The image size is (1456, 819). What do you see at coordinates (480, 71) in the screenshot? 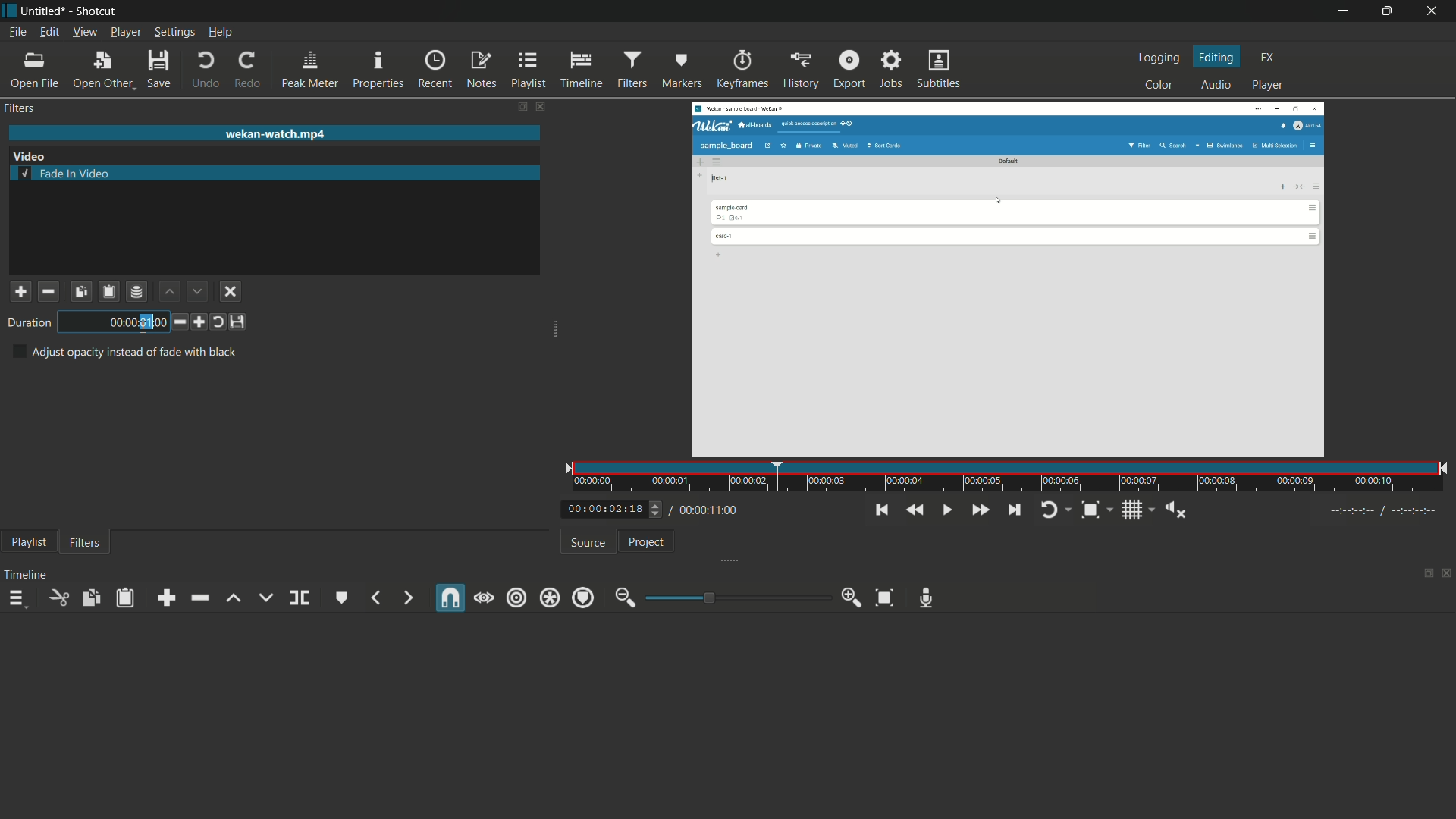
I see `notes` at bounding box center [480, 71].